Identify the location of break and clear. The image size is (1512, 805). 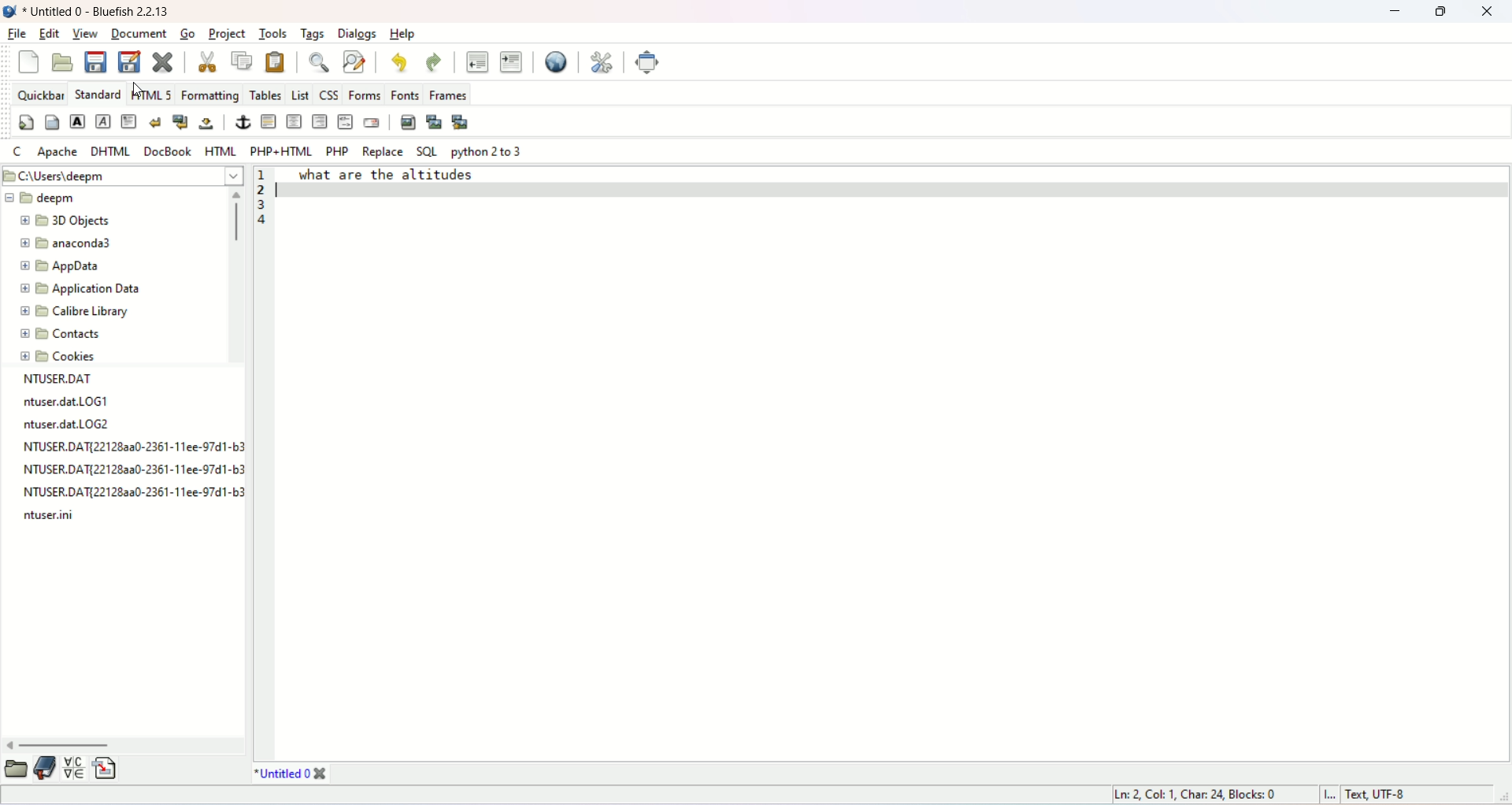
(180, 122).